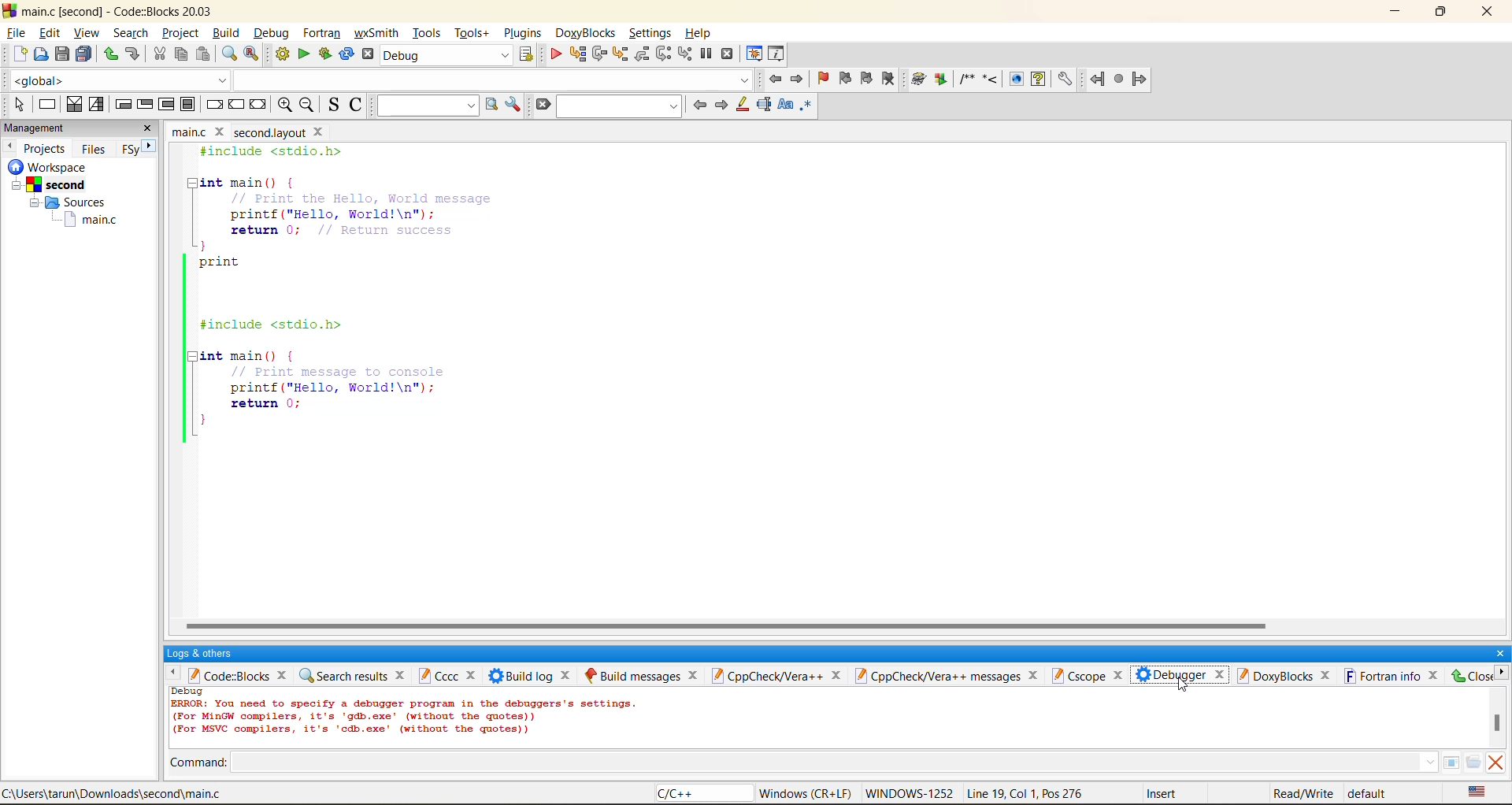  I want to click on previous bookmark, so click(845, 78).